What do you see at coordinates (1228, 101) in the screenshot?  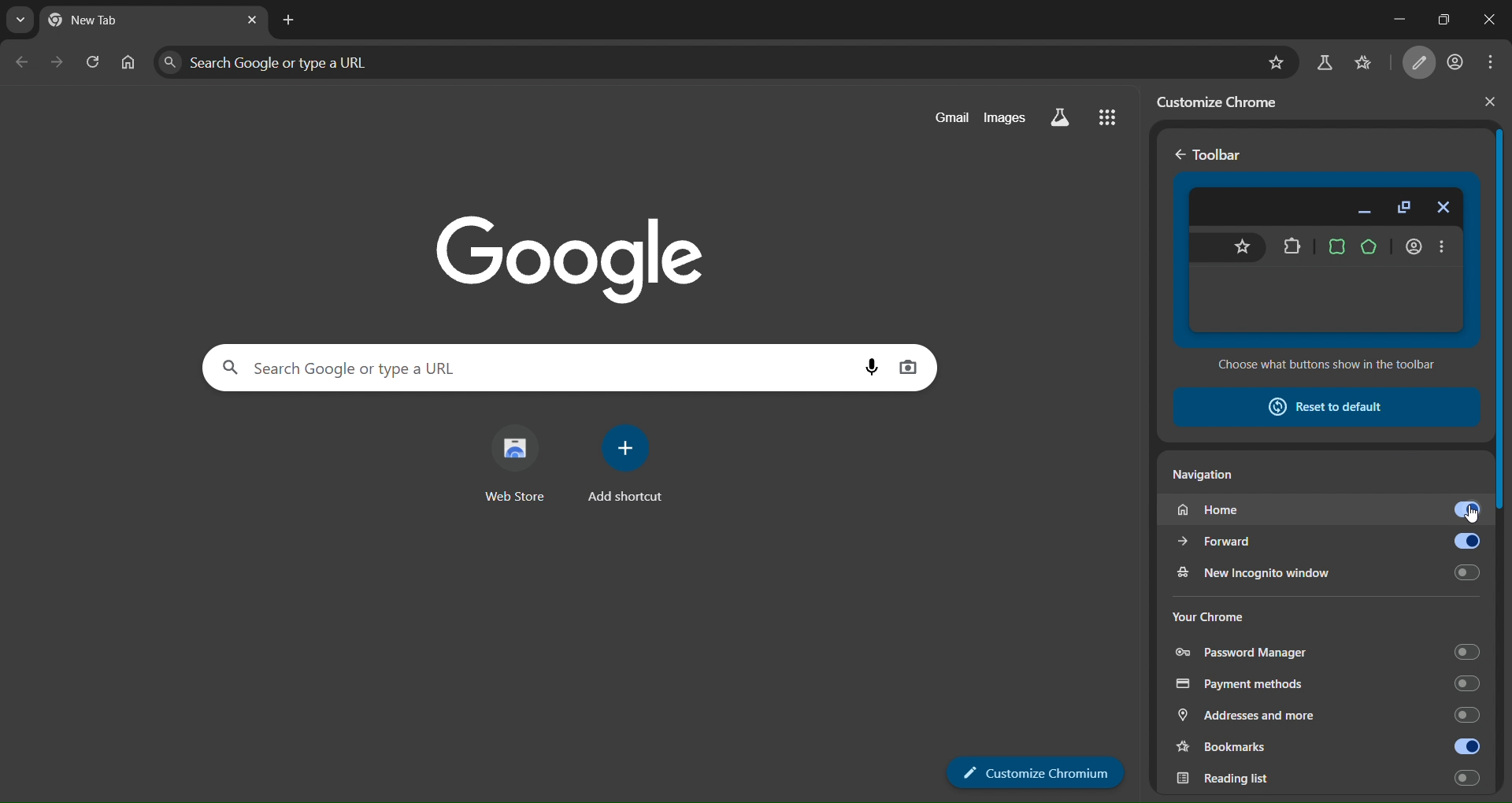 I see `customize chrome` at bounding box center [1228, 101].